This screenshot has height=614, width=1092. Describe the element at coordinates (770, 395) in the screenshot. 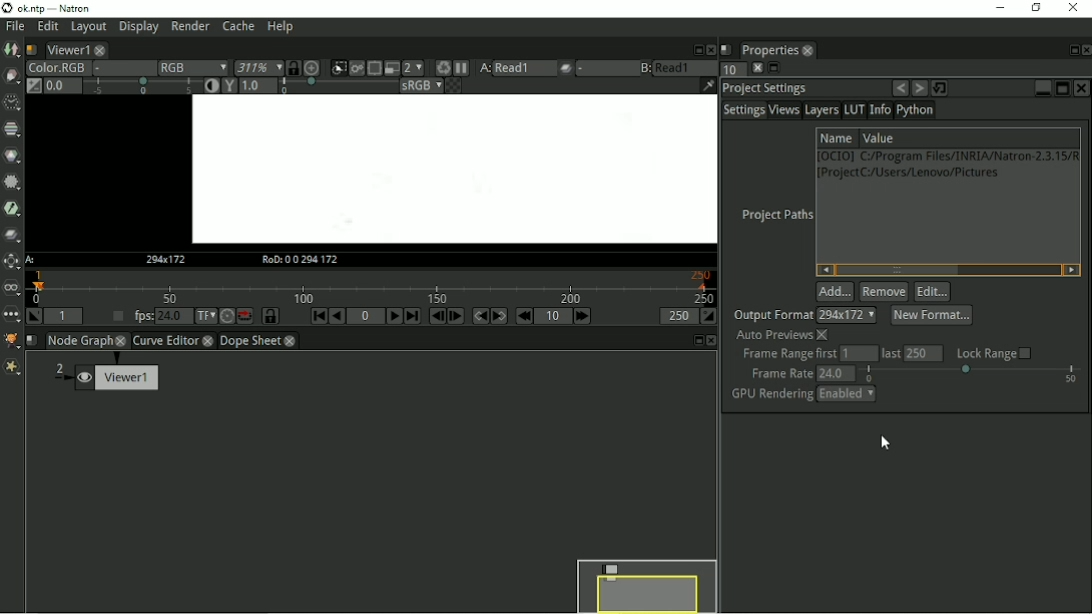

I see `GPU Rendering` at that location.